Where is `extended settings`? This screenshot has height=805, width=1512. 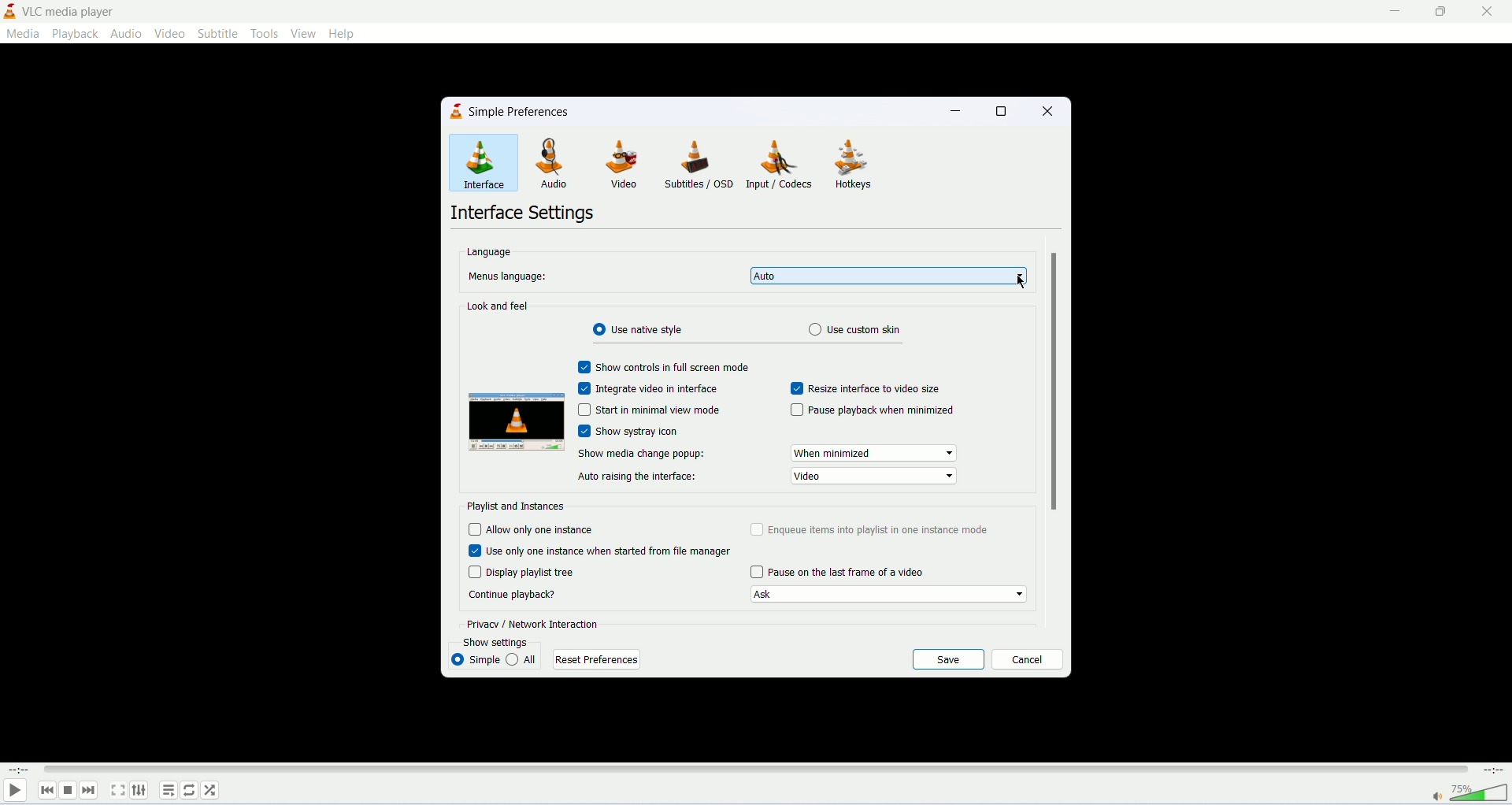 extended settings is located at coordinates (139, 789).